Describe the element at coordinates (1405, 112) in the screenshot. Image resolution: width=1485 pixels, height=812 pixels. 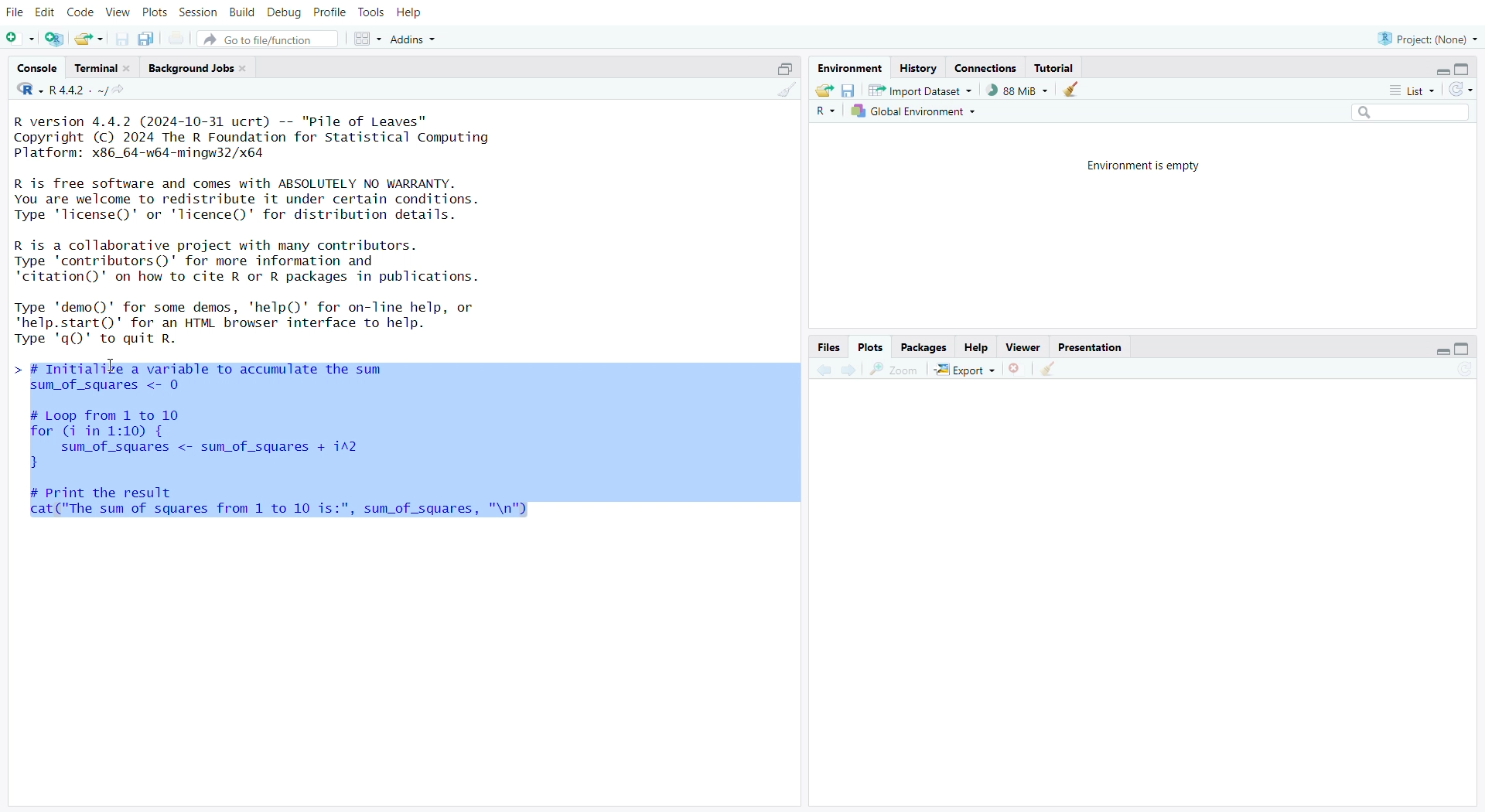
I see `search` at that location.